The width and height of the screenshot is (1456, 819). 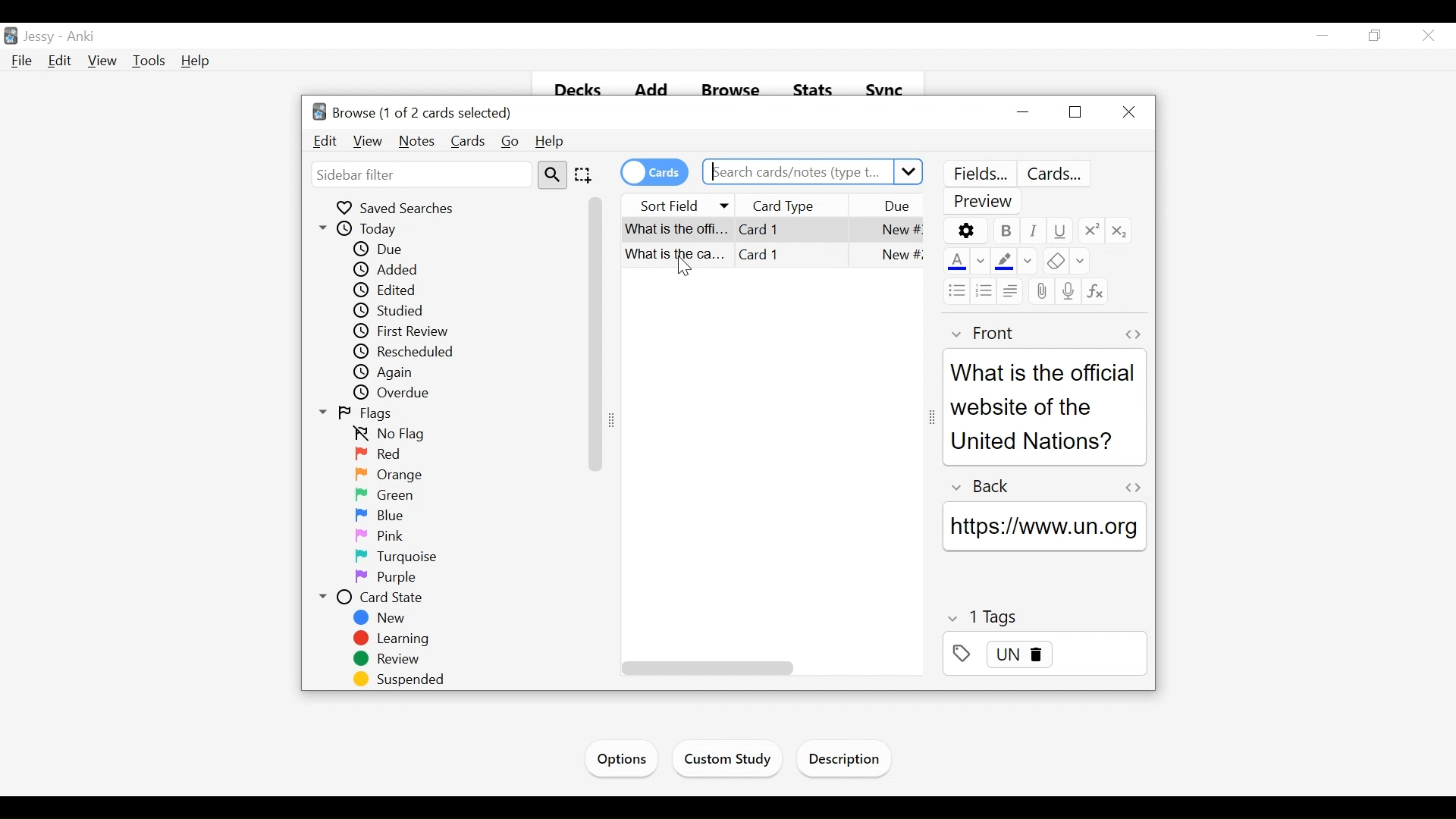 What do you see at coordinates (393, 639) in the screenshot?
I see `learning` at bounding box center [393, 639].